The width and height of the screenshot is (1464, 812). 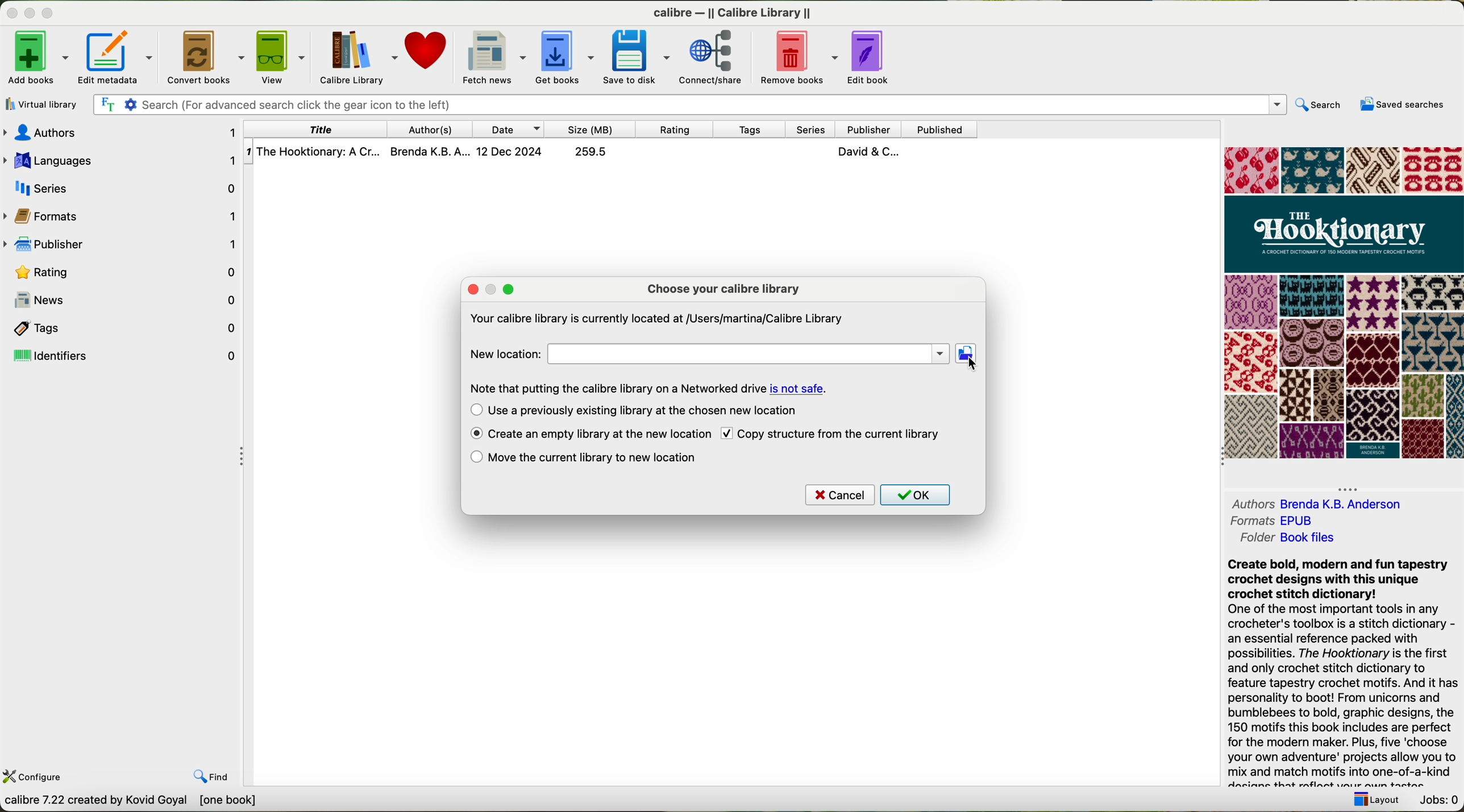 I want to click on series, so click(x=809, y=128).